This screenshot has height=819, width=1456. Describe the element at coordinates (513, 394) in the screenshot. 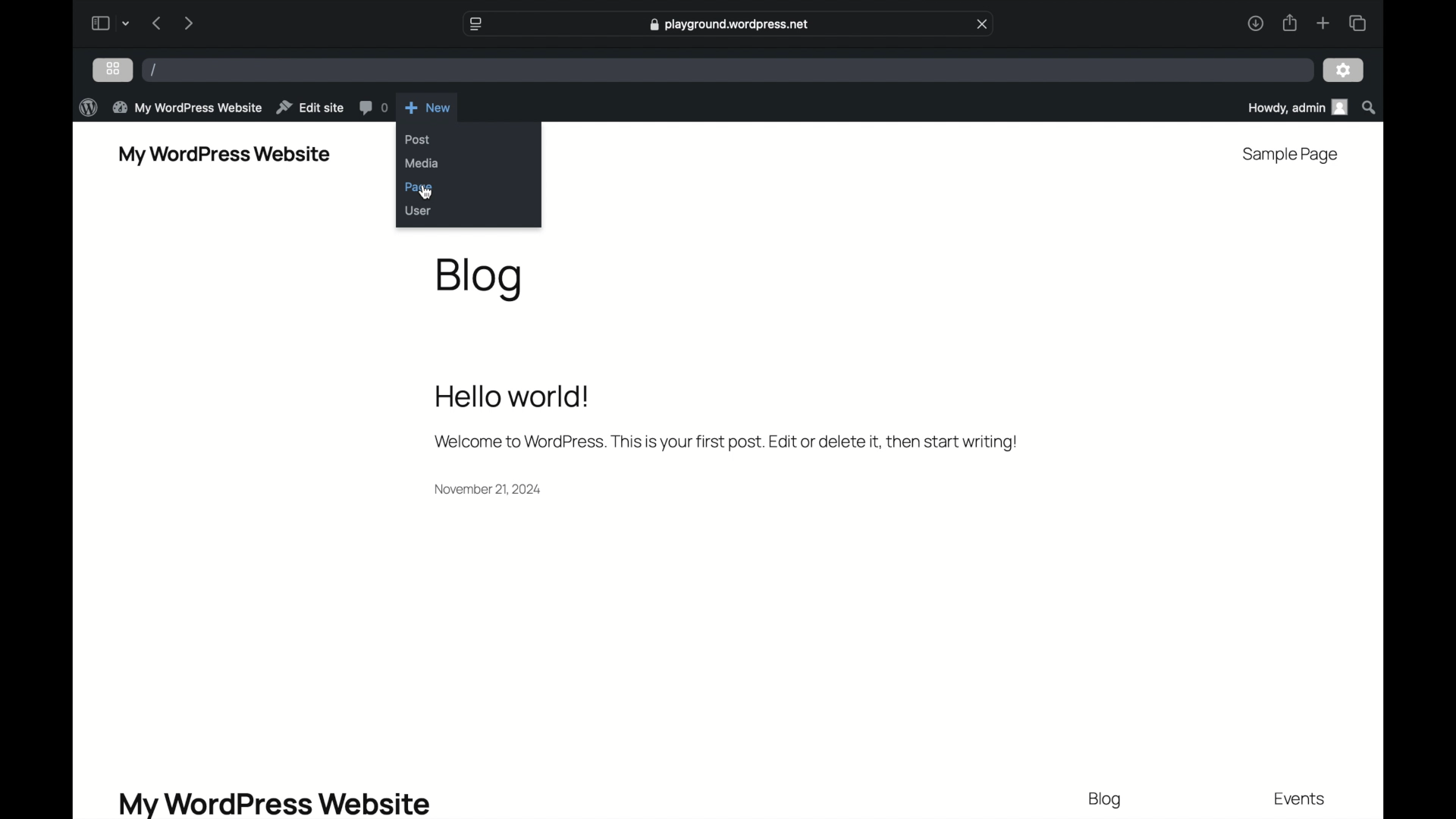

I see `hello world` at that location.